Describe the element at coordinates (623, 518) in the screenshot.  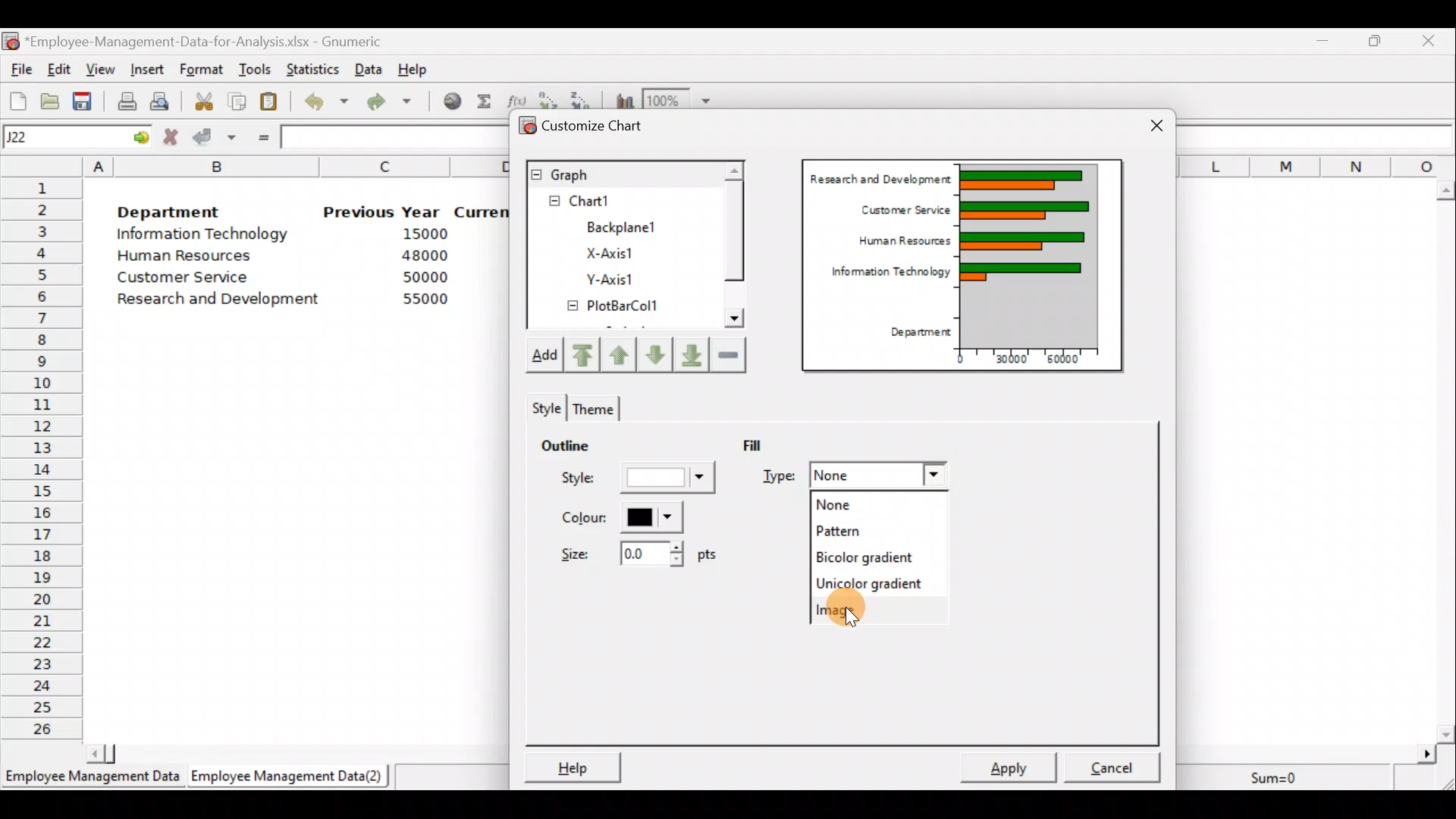
I see `Color` at that location.